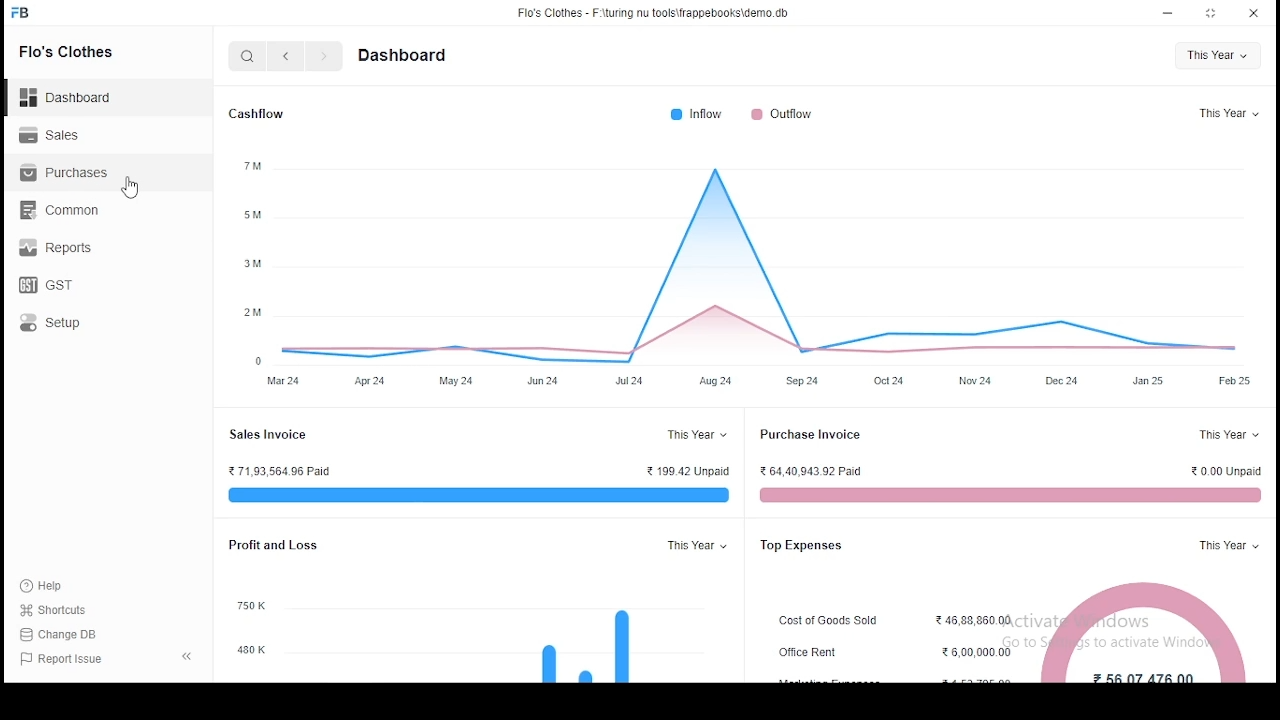  I want to click on 71,93,564 96 Paid, so click(279, 470).